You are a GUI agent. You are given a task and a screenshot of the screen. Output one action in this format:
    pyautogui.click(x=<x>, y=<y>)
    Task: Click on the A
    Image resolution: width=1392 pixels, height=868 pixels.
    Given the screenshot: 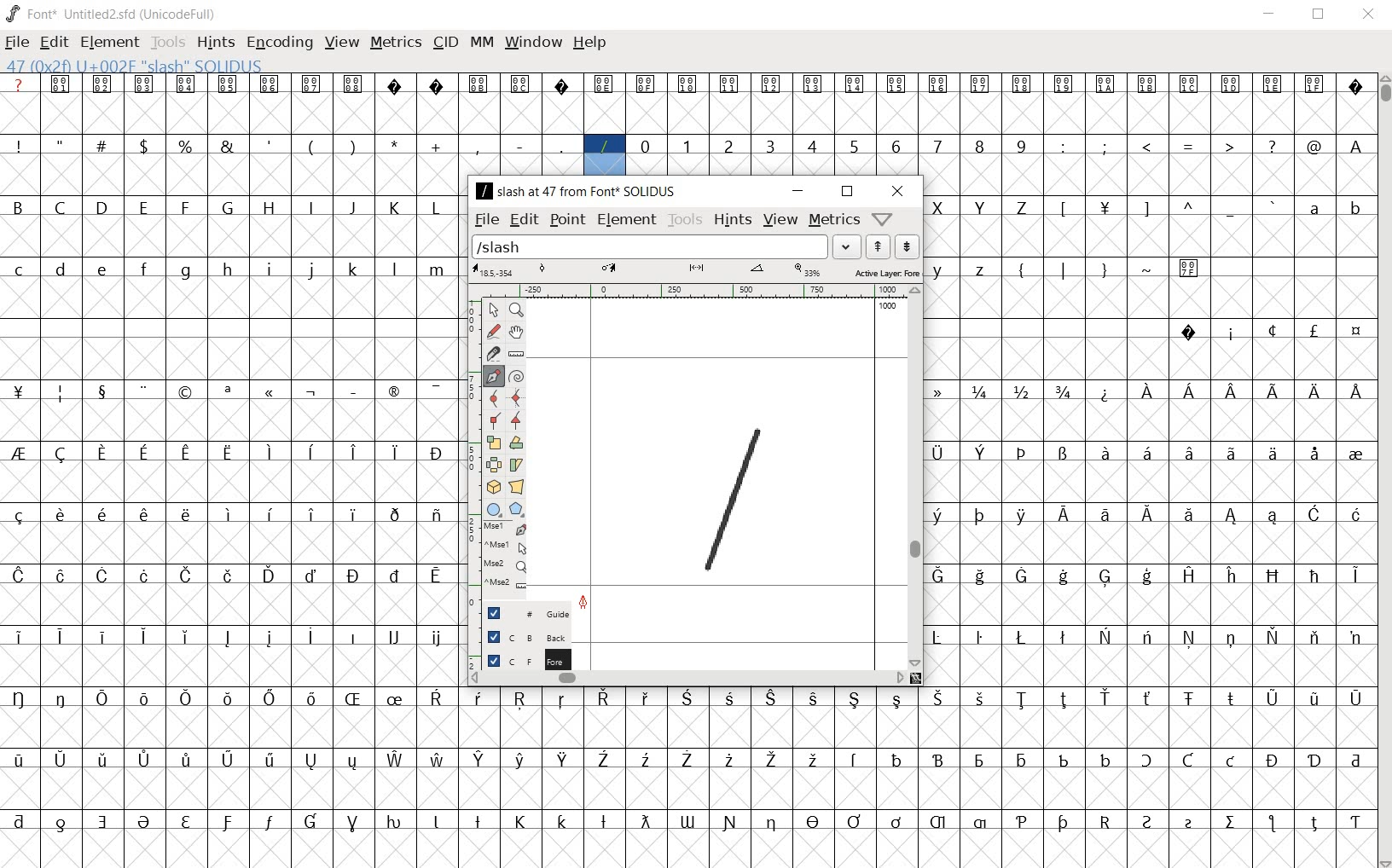 What is the action you would take?
    pyautogui.click(x=1355, y=145)
    